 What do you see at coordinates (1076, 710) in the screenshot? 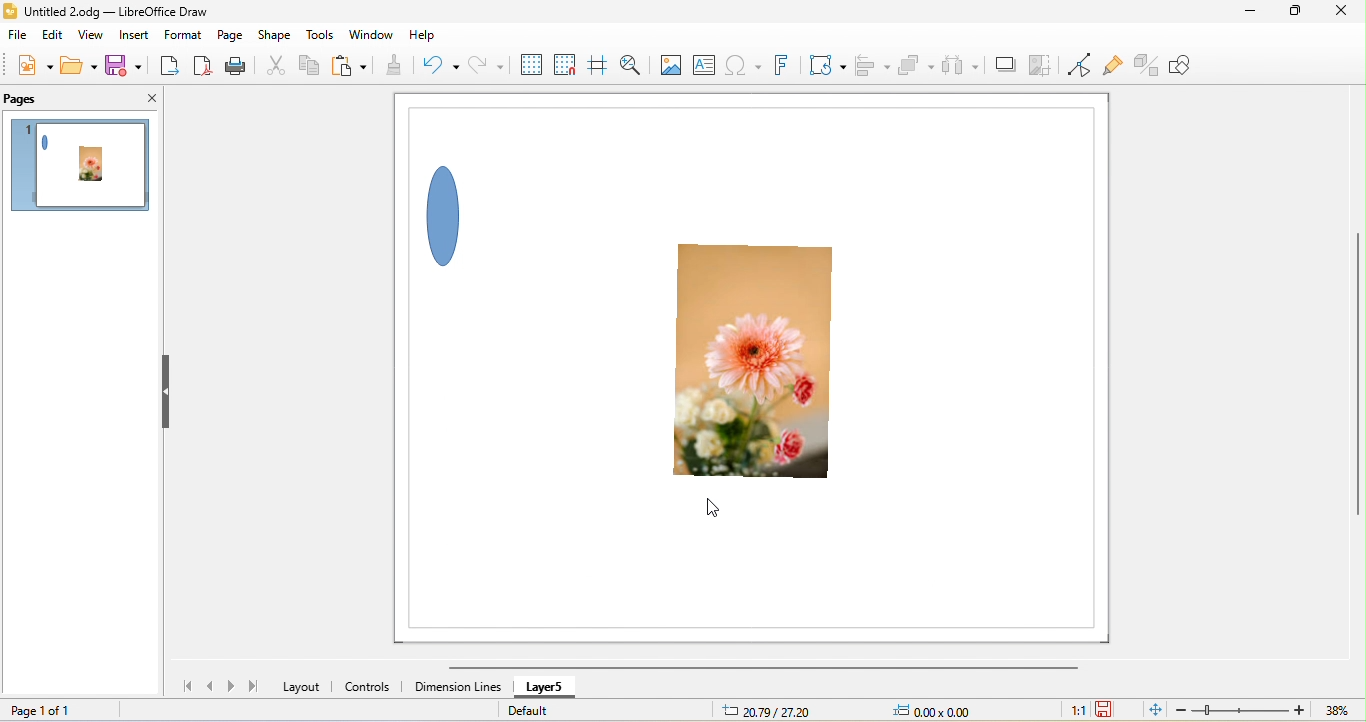
I see `1:1` at bounding box center [1076, 710].